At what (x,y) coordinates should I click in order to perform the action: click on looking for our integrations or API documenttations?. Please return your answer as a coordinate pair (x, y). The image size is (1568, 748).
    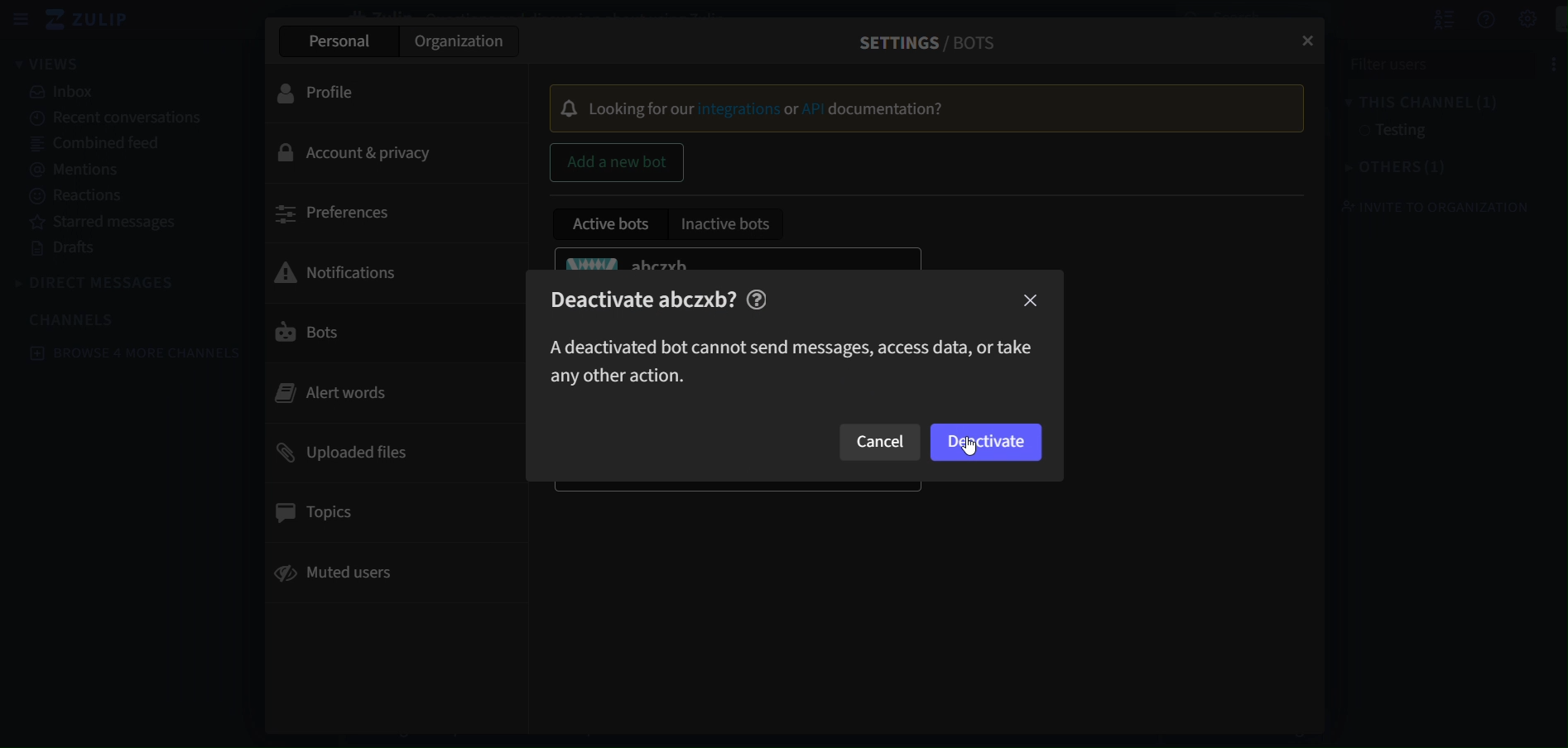
    Looking at the image, I should click on (911, 108).